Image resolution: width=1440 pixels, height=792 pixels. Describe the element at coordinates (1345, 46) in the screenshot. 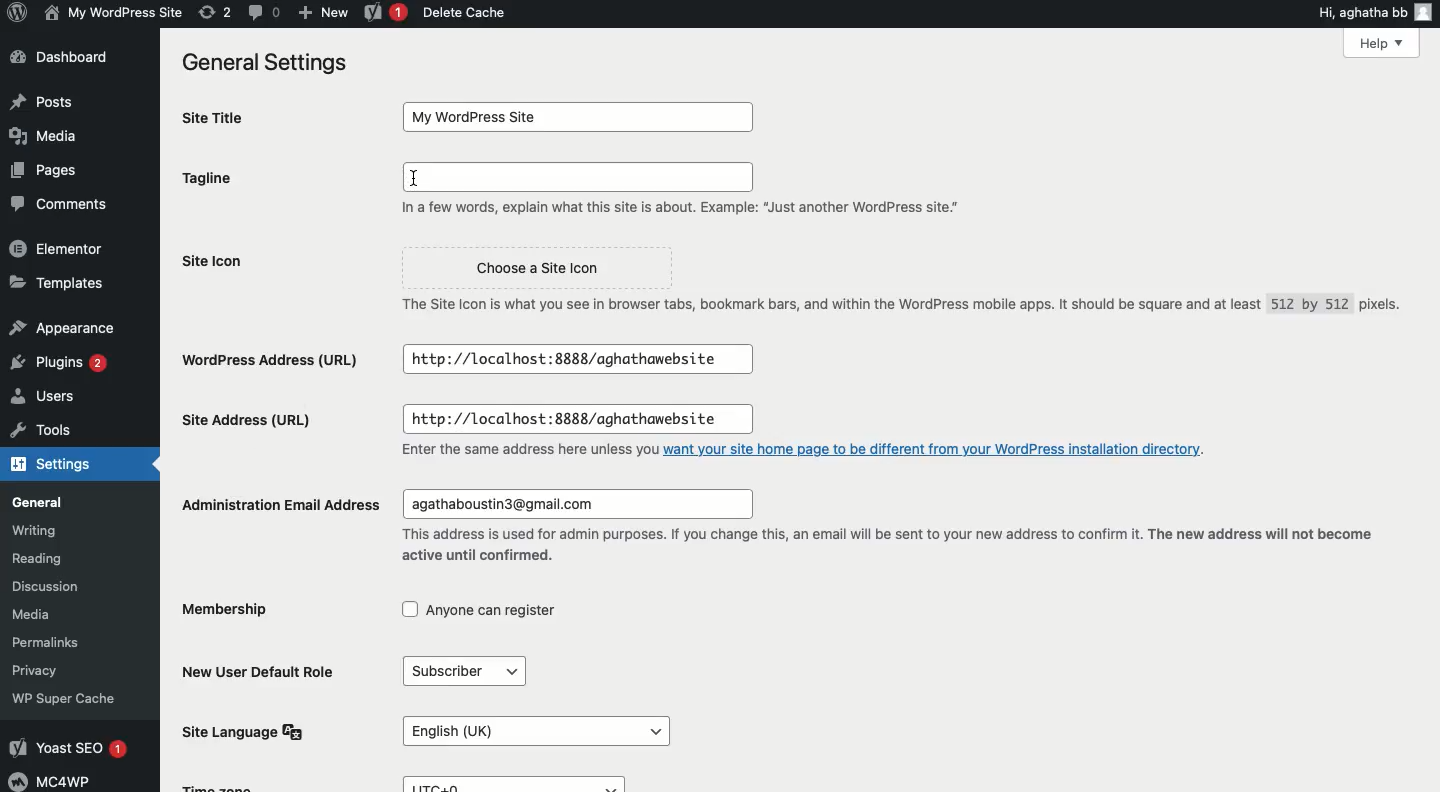

I see `Help` at that location.